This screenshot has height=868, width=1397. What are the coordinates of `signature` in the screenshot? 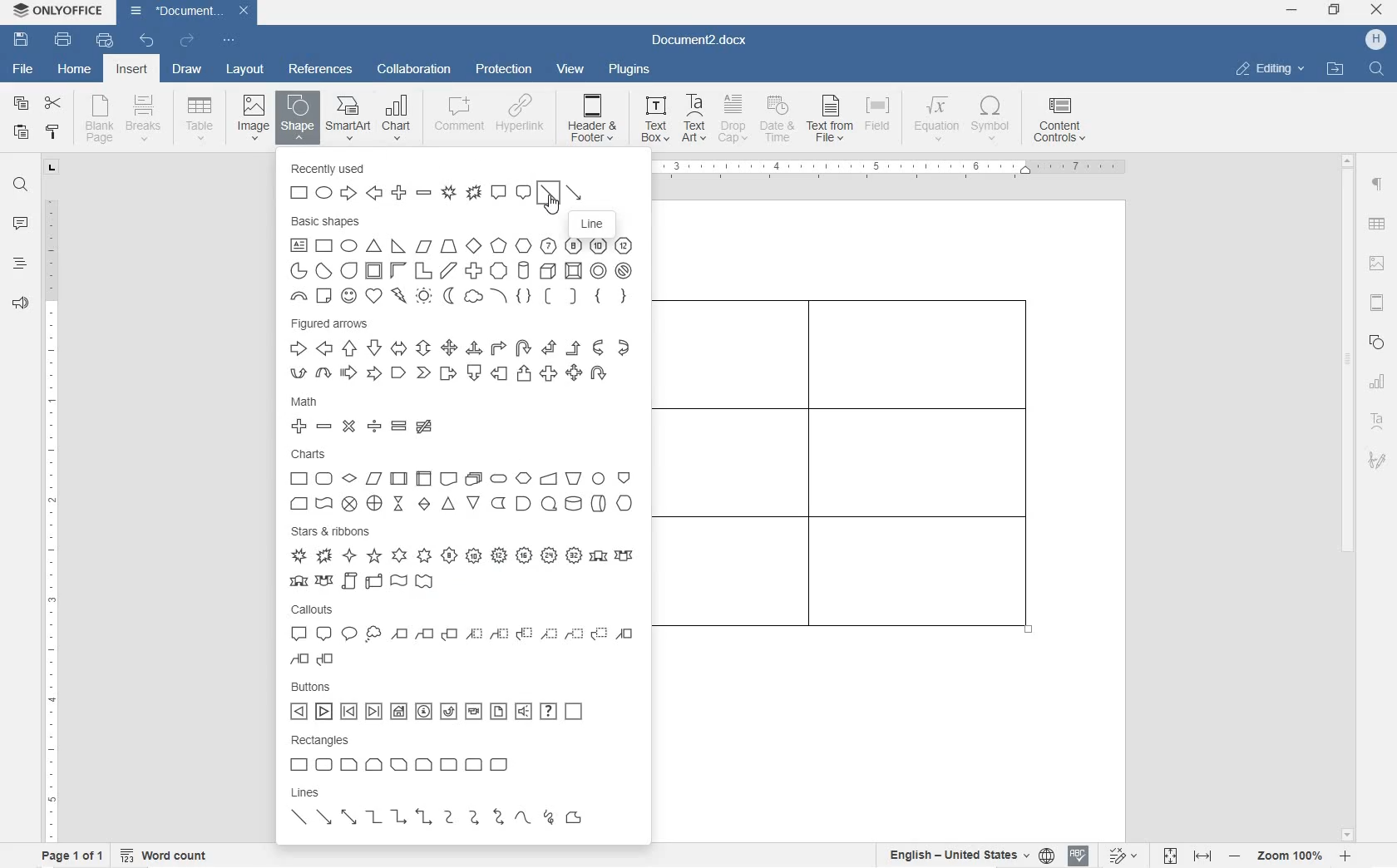 It's located at (1376, 460).